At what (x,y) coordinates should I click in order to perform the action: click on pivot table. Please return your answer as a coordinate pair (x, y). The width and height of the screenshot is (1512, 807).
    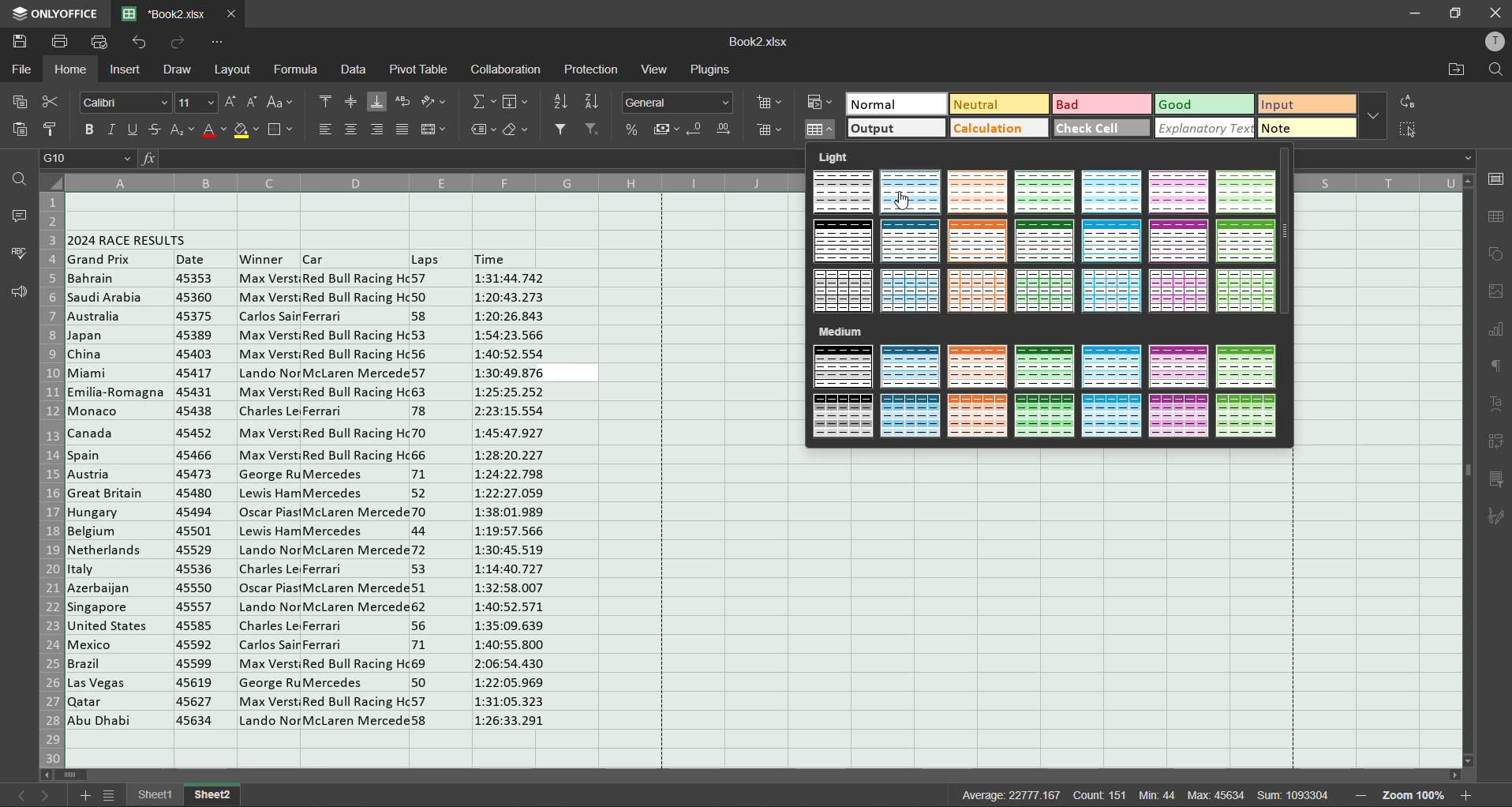
    Looking at the image, I should click on (1495, 440).